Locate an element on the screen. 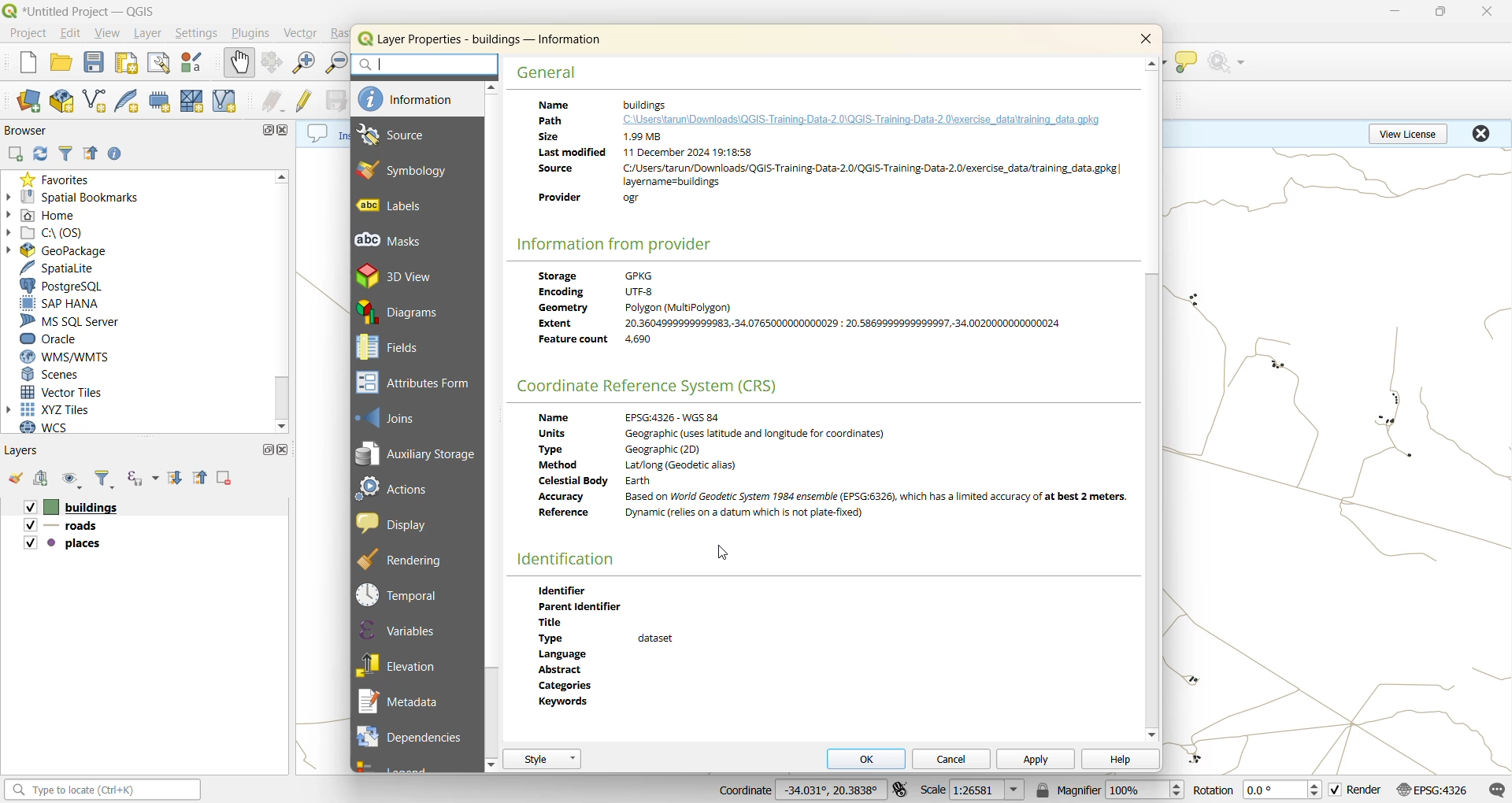  home is located at coordinates (64, 216).